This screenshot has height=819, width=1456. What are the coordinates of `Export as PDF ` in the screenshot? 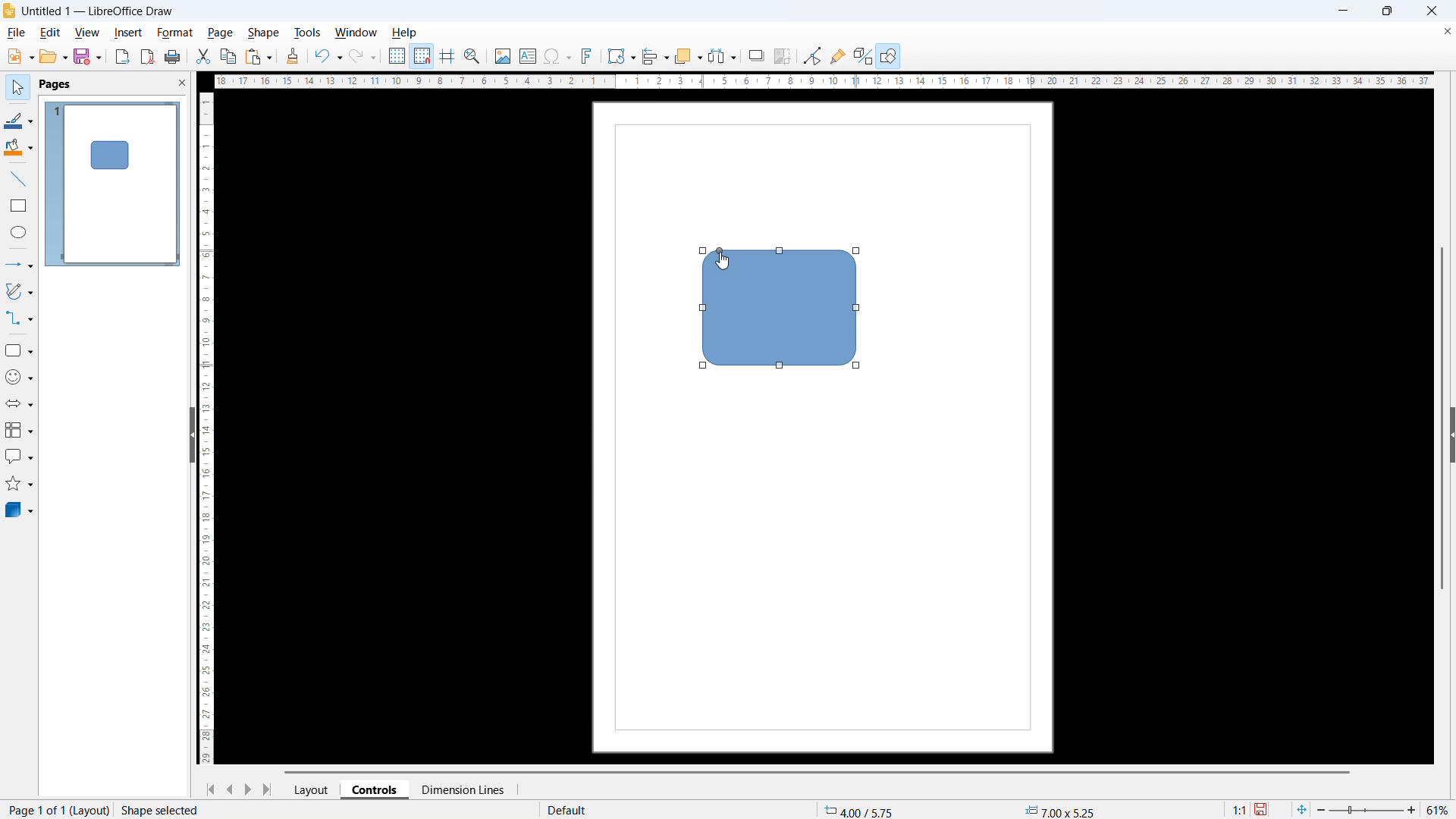 It's located at (148, 57).